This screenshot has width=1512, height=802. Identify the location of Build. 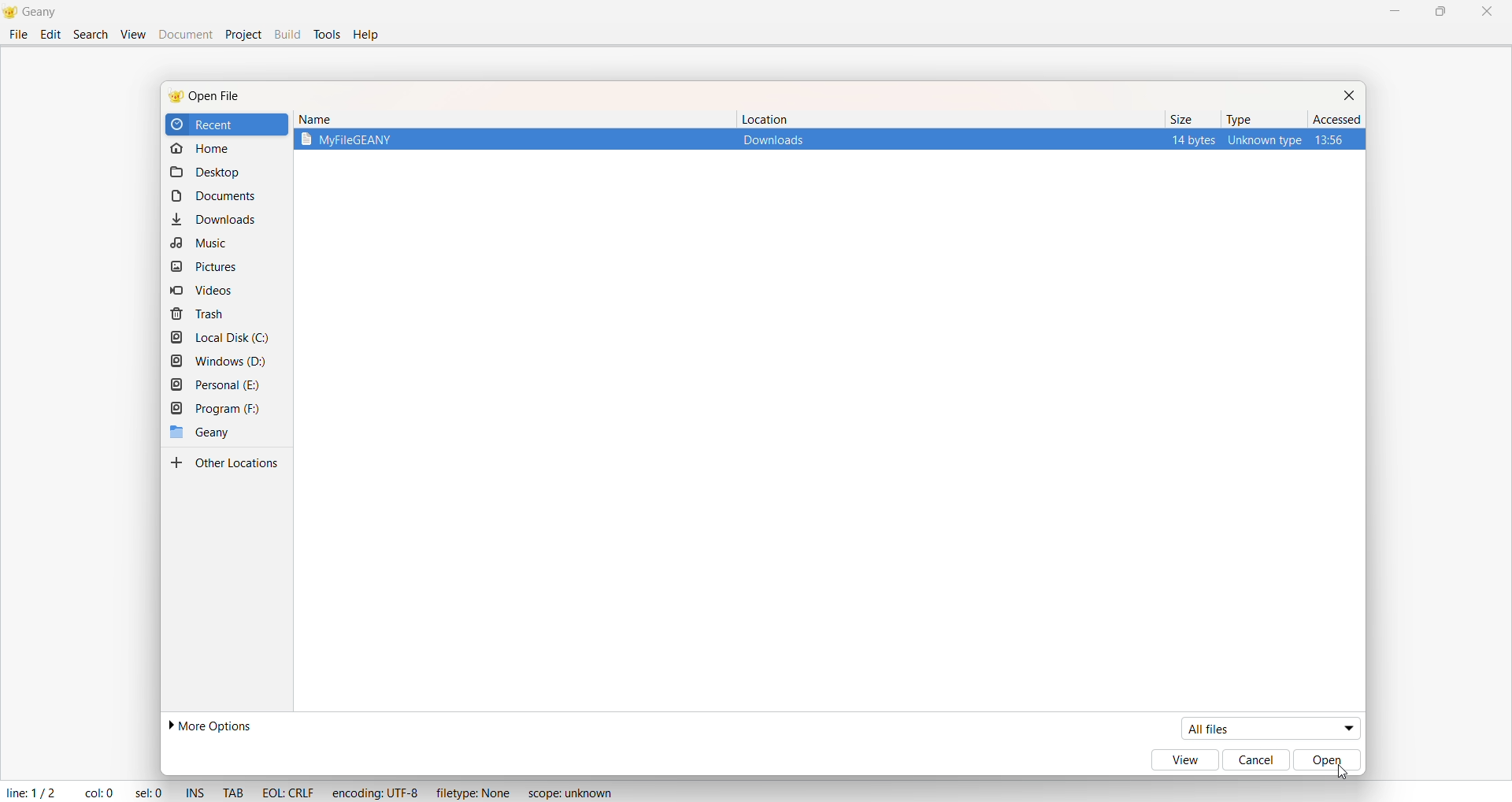
(287, 35).